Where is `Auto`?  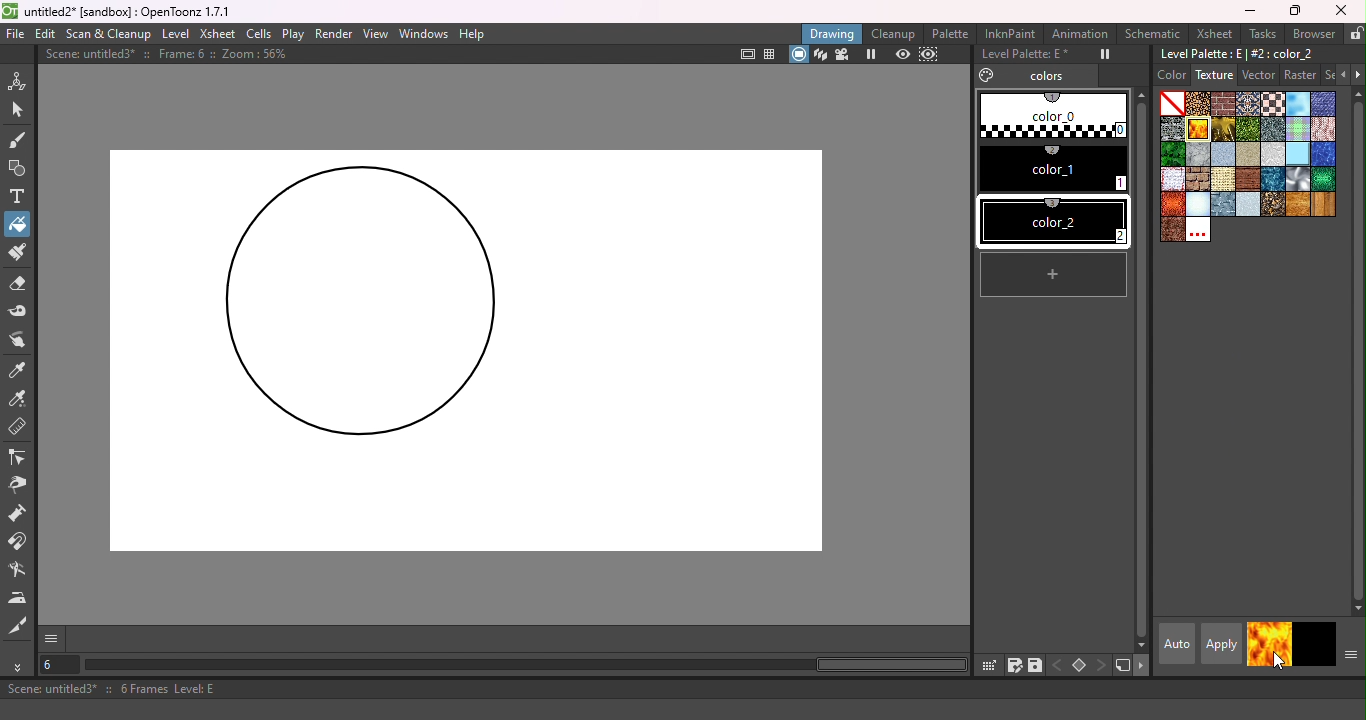
Auto is located at coordinates (1175, 644).